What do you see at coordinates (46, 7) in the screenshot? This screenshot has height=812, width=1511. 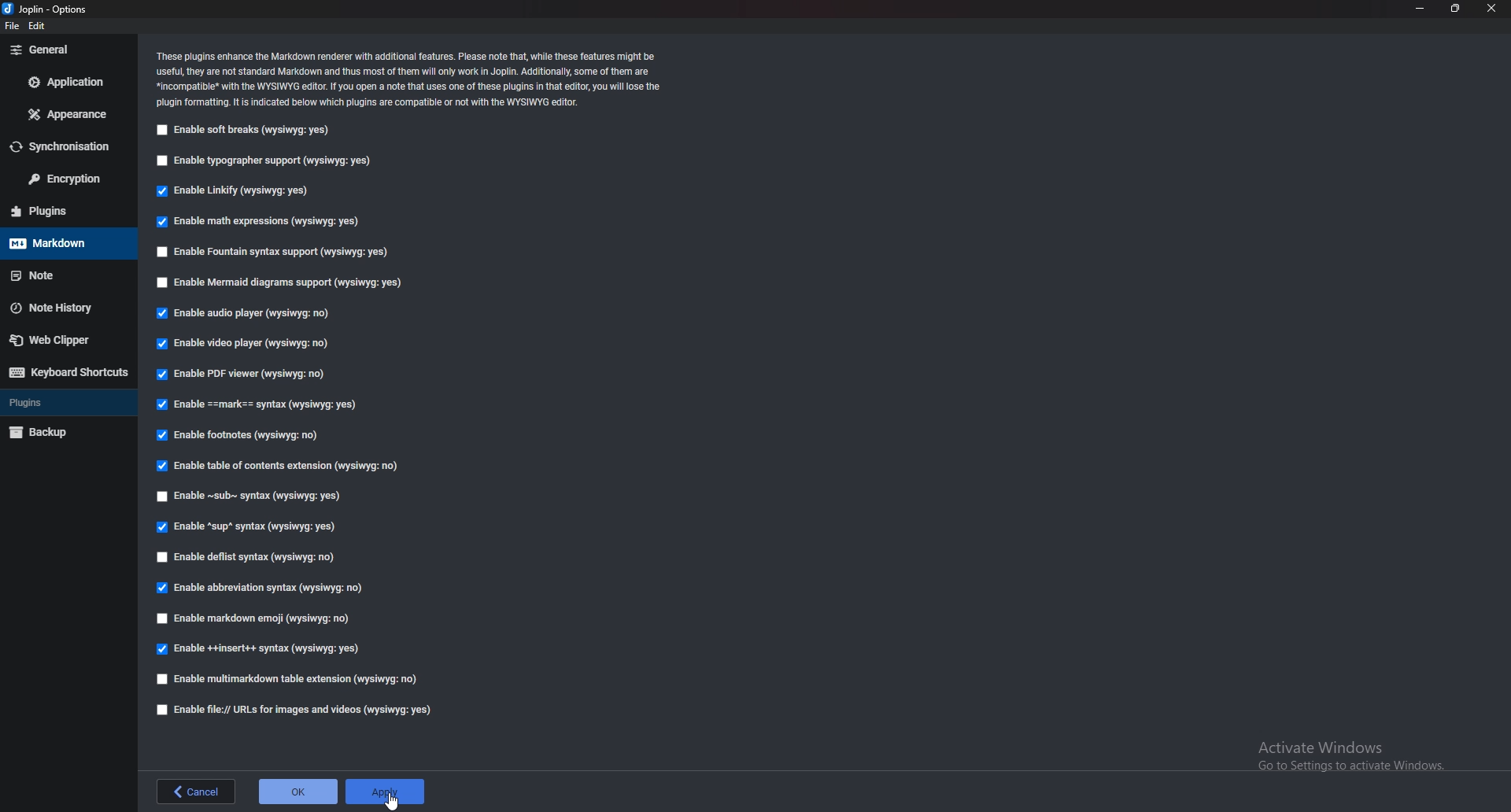 I see `options` at bounding box center [46, 7].